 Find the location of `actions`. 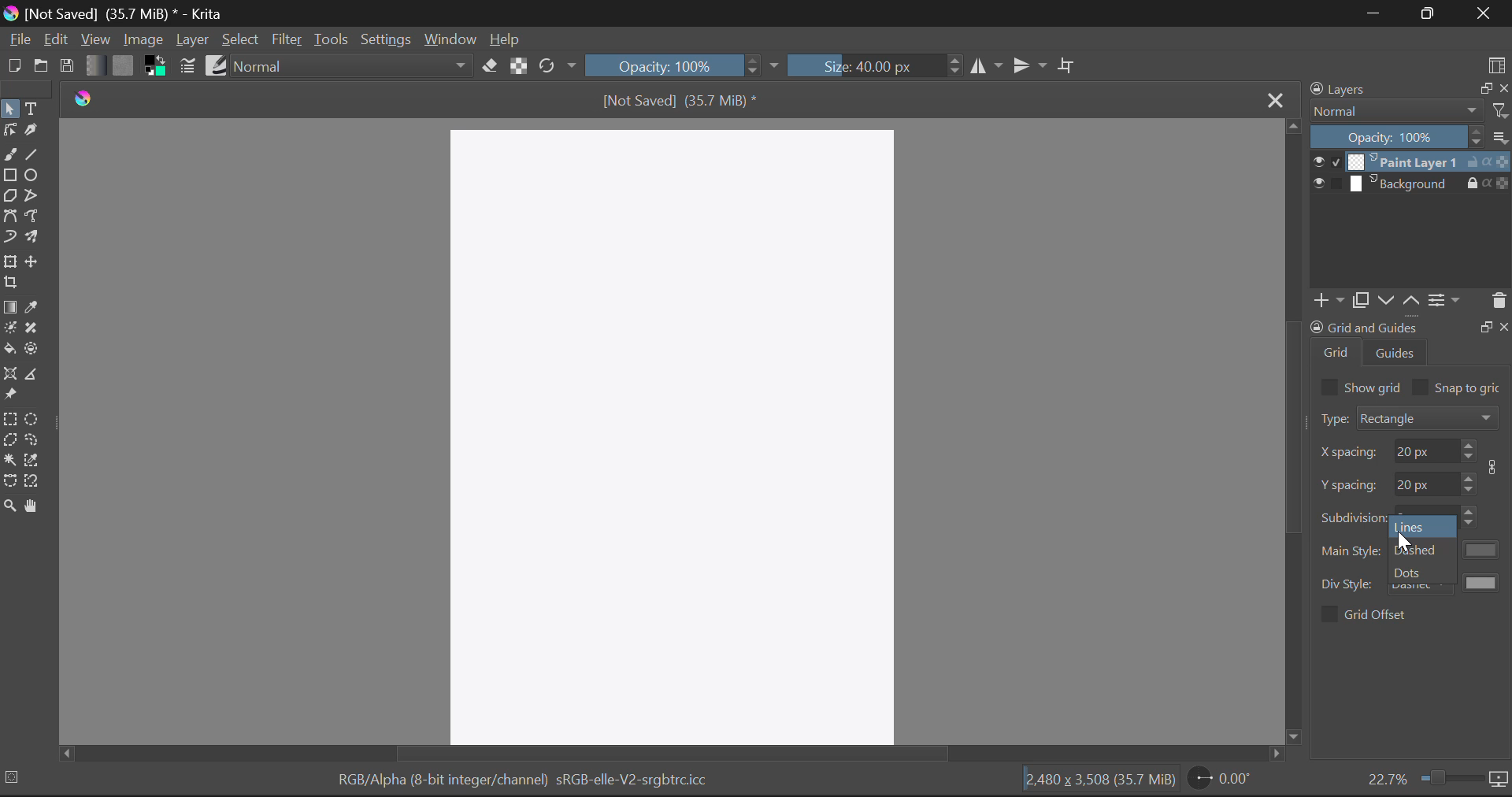

actions is located at coordinates (1488, 161).